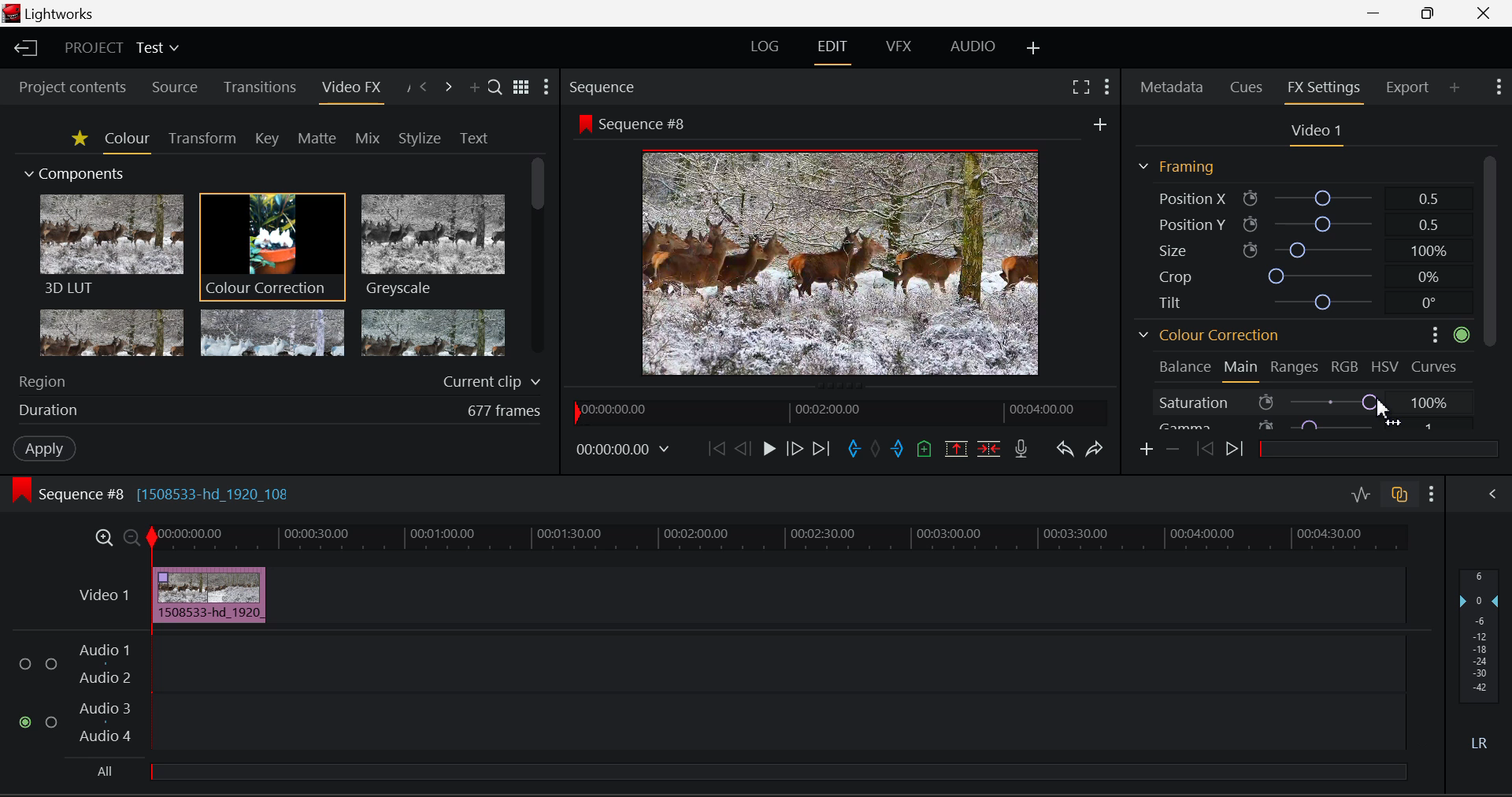 The image size is (1512, 797). Describe the element at coordinates (260, 87) in the screenshot. I see `Transitions` at that location.